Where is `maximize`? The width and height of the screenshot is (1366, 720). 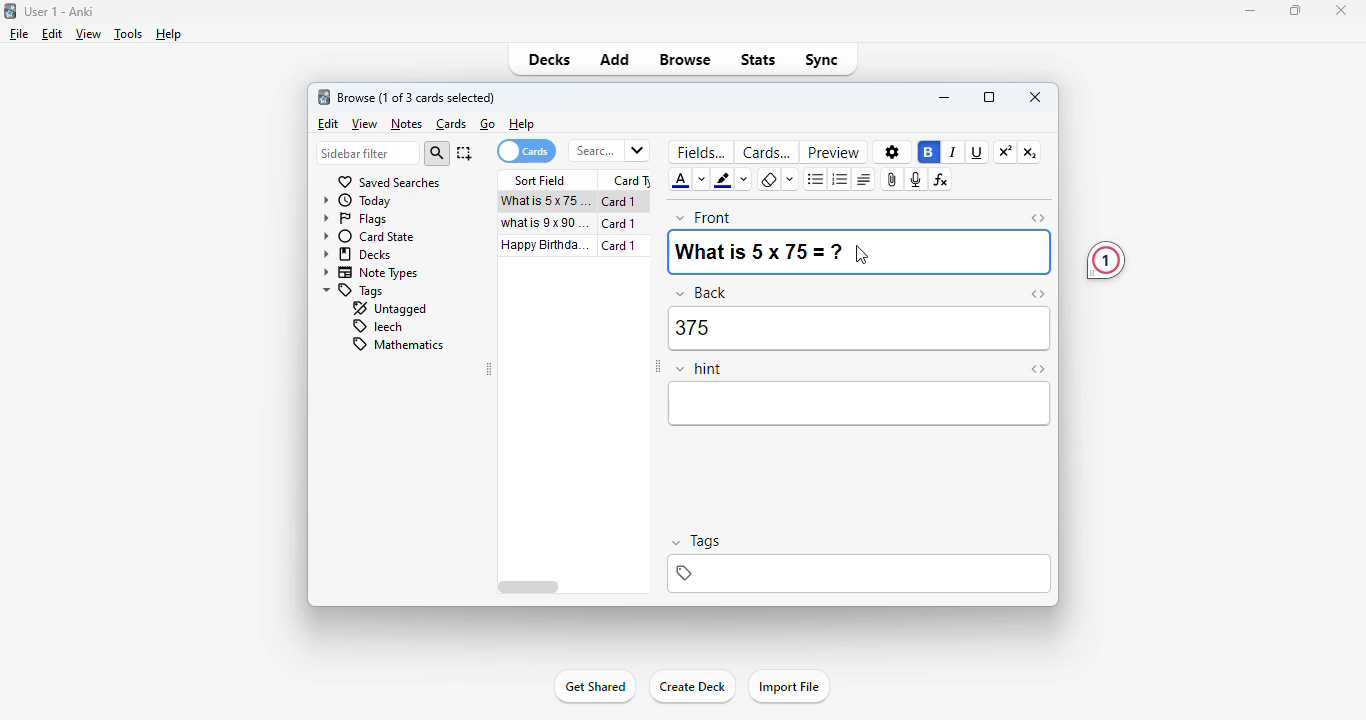 maximize is located at coordinates (1296, 10).